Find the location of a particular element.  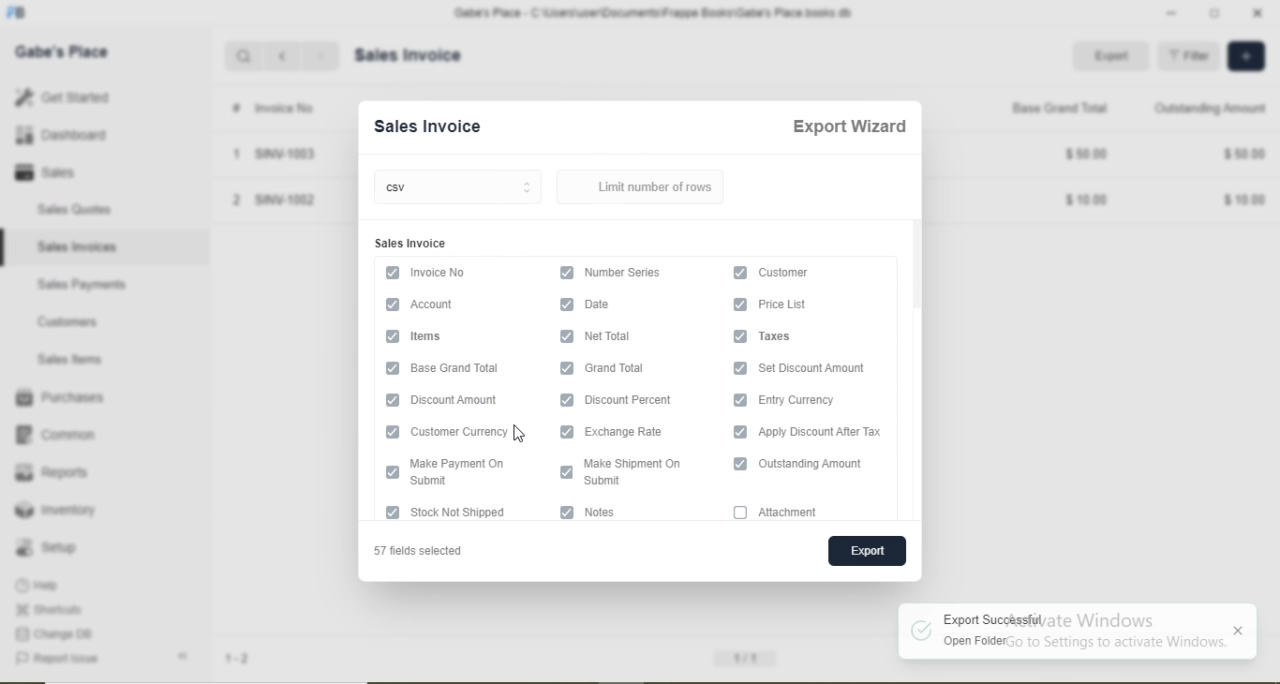

search is located at coordinates (246, 58).